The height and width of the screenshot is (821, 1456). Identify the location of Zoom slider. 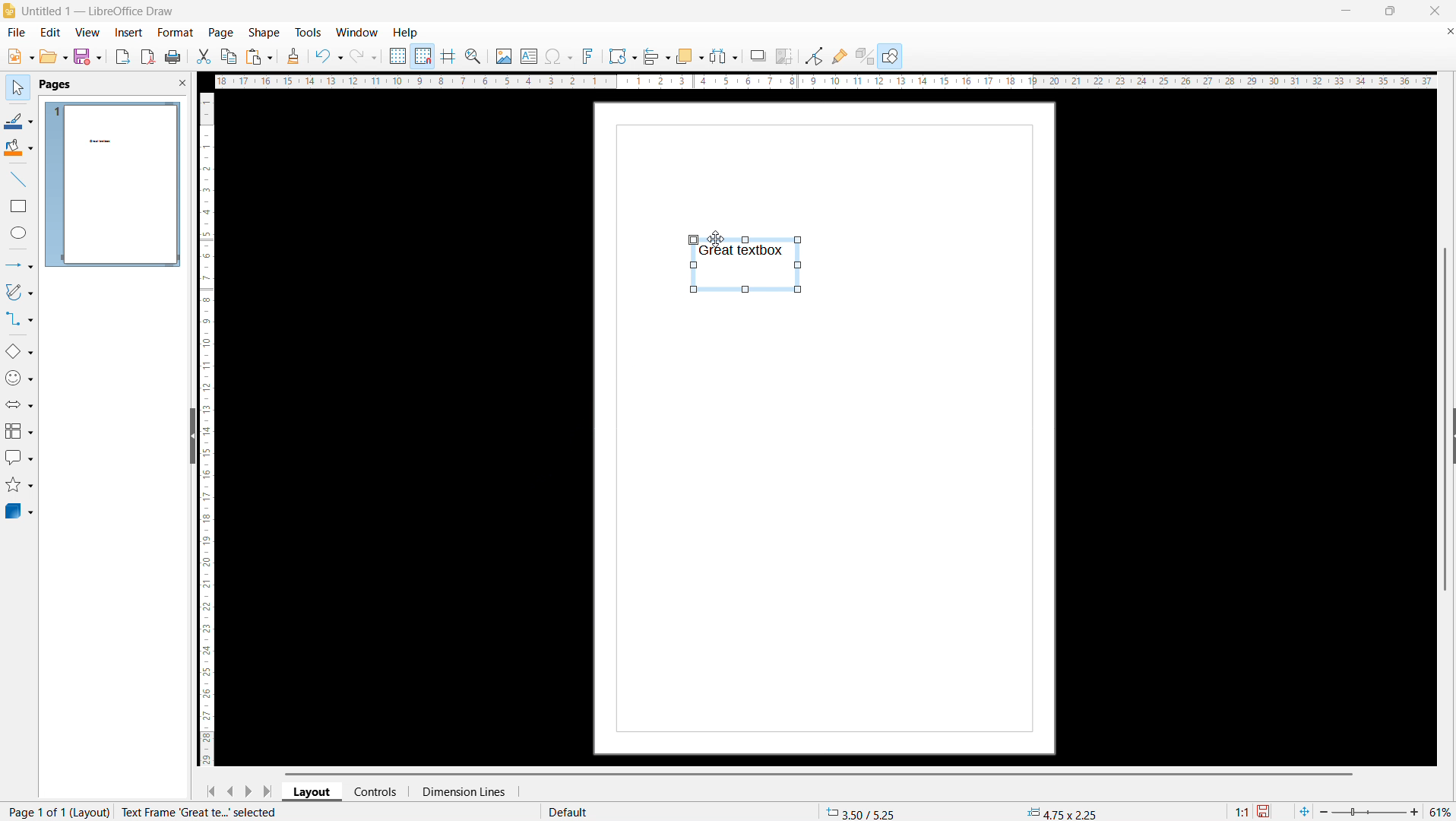
(1371, 813).